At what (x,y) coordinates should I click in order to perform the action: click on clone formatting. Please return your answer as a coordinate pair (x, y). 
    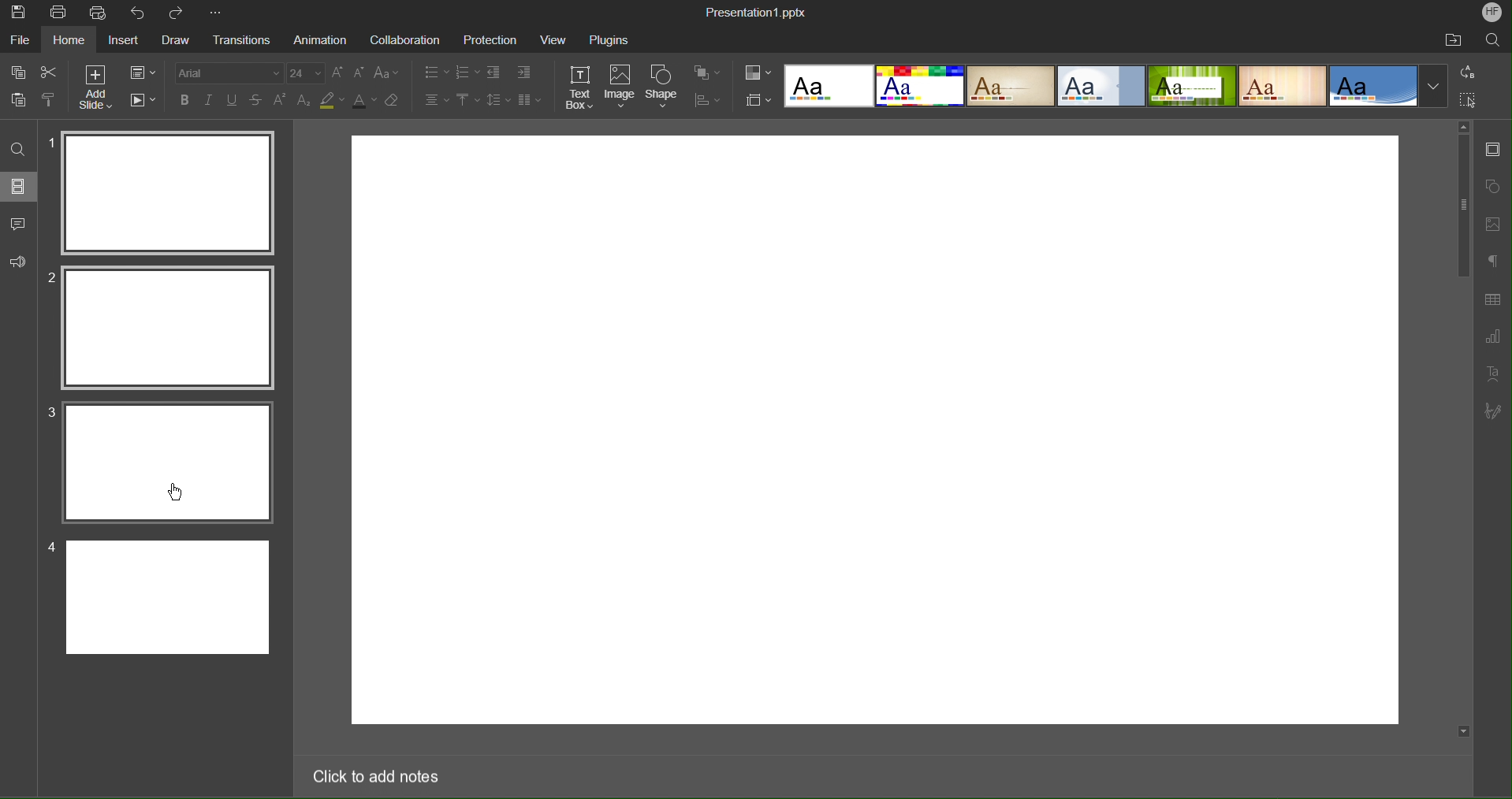
    Looking at the image, I should click on (51, 100).